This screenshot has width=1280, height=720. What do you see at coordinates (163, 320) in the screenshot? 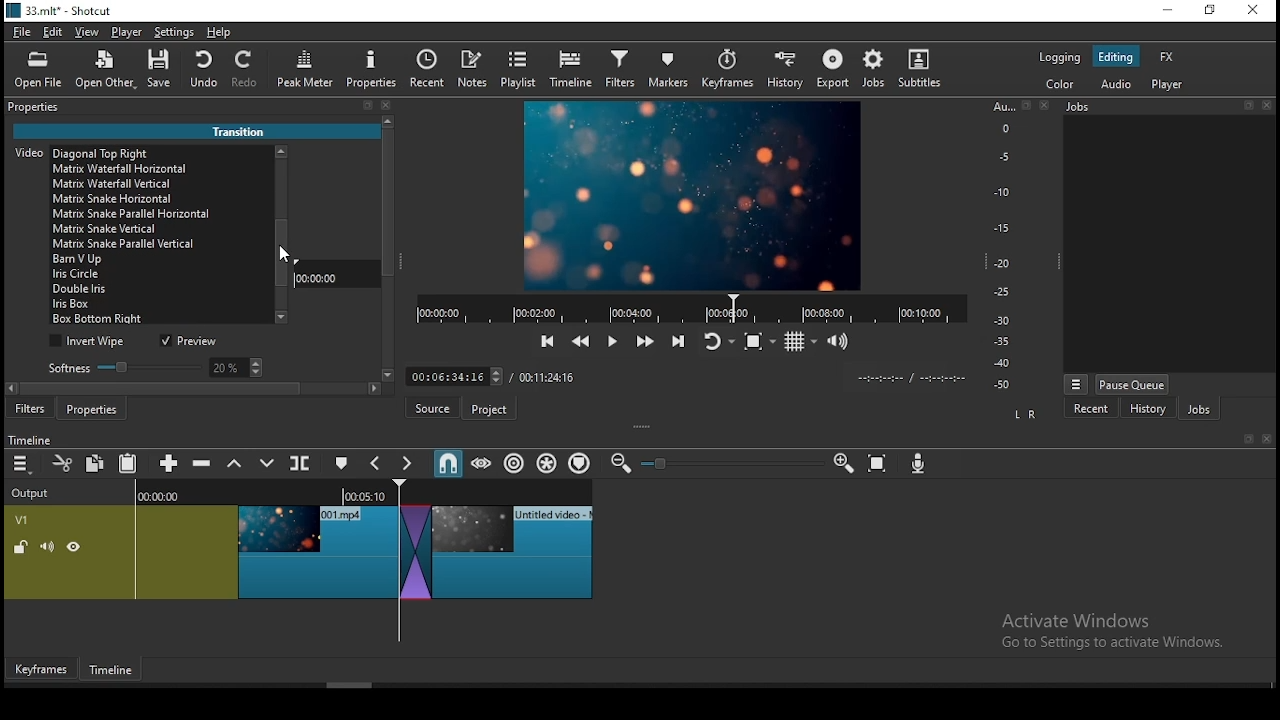
I see `transition option` at bounding box center [163, 320].